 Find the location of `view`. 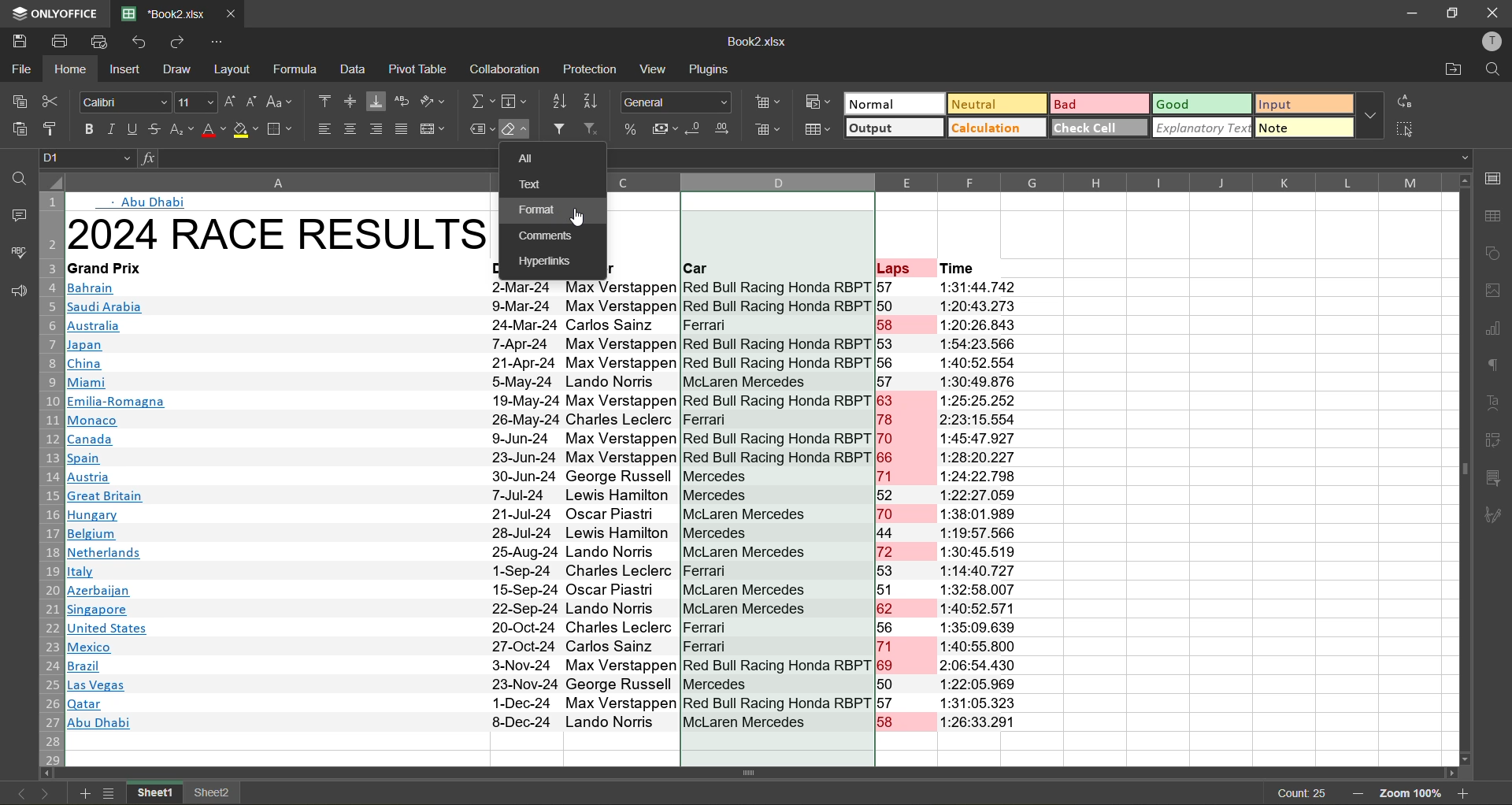

view is located at coordinates (653, 69).